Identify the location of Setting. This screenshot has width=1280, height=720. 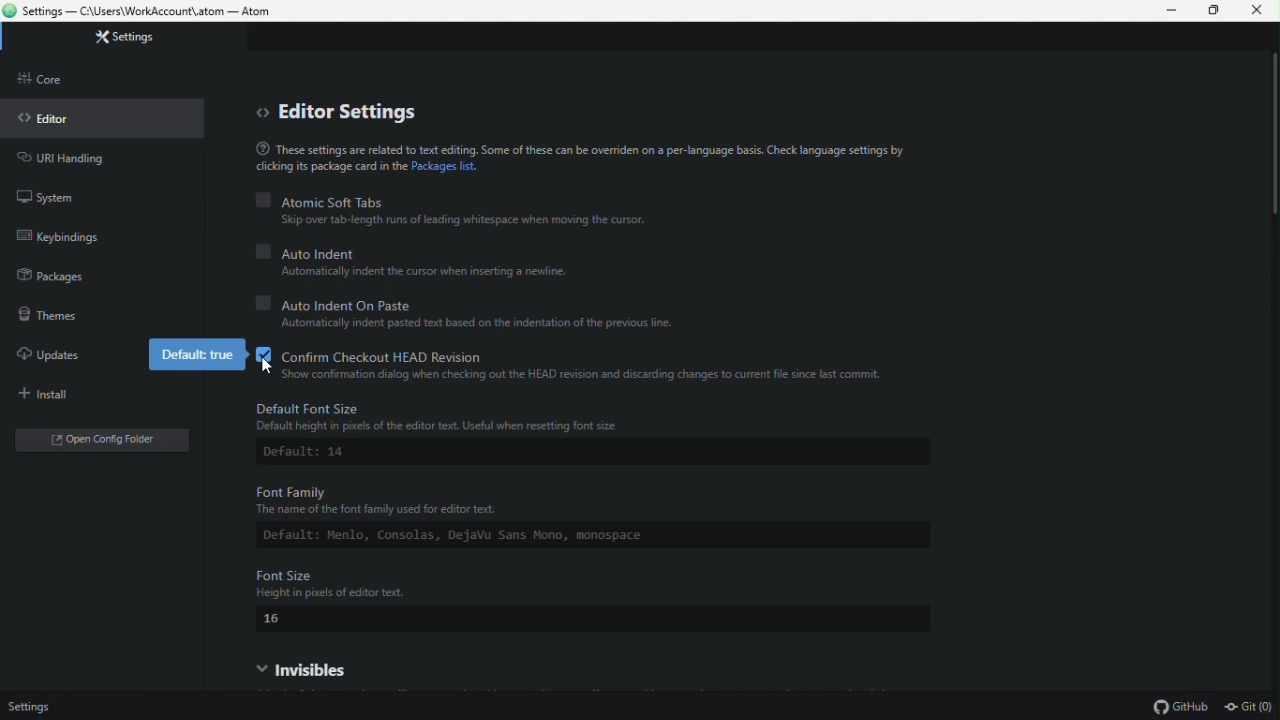
(147, 38).